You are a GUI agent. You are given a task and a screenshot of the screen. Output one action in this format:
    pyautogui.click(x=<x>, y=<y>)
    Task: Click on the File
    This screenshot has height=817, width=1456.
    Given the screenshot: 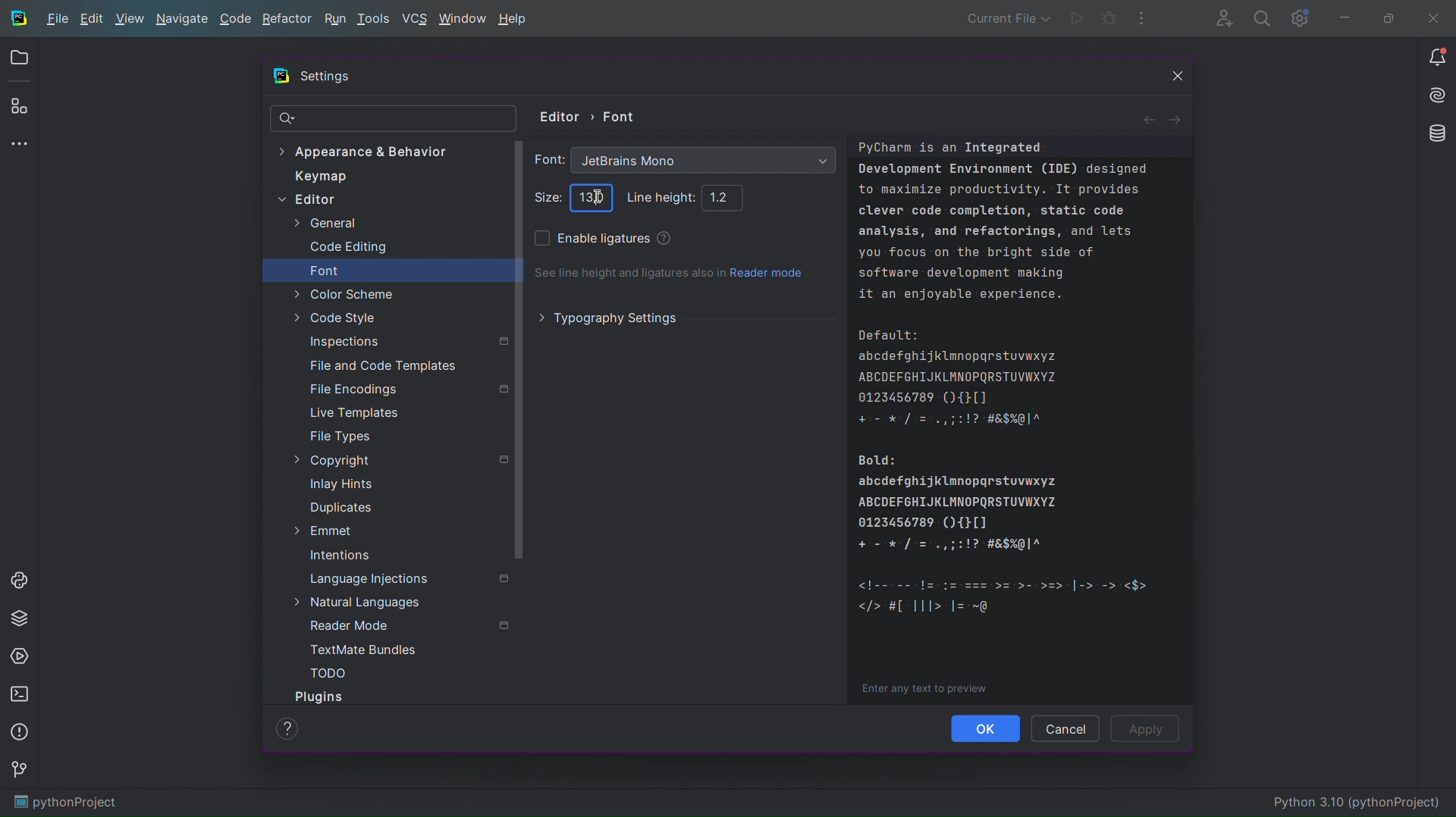 What is the action you would take?
    pyautogui.click(x=56, y=20)
    